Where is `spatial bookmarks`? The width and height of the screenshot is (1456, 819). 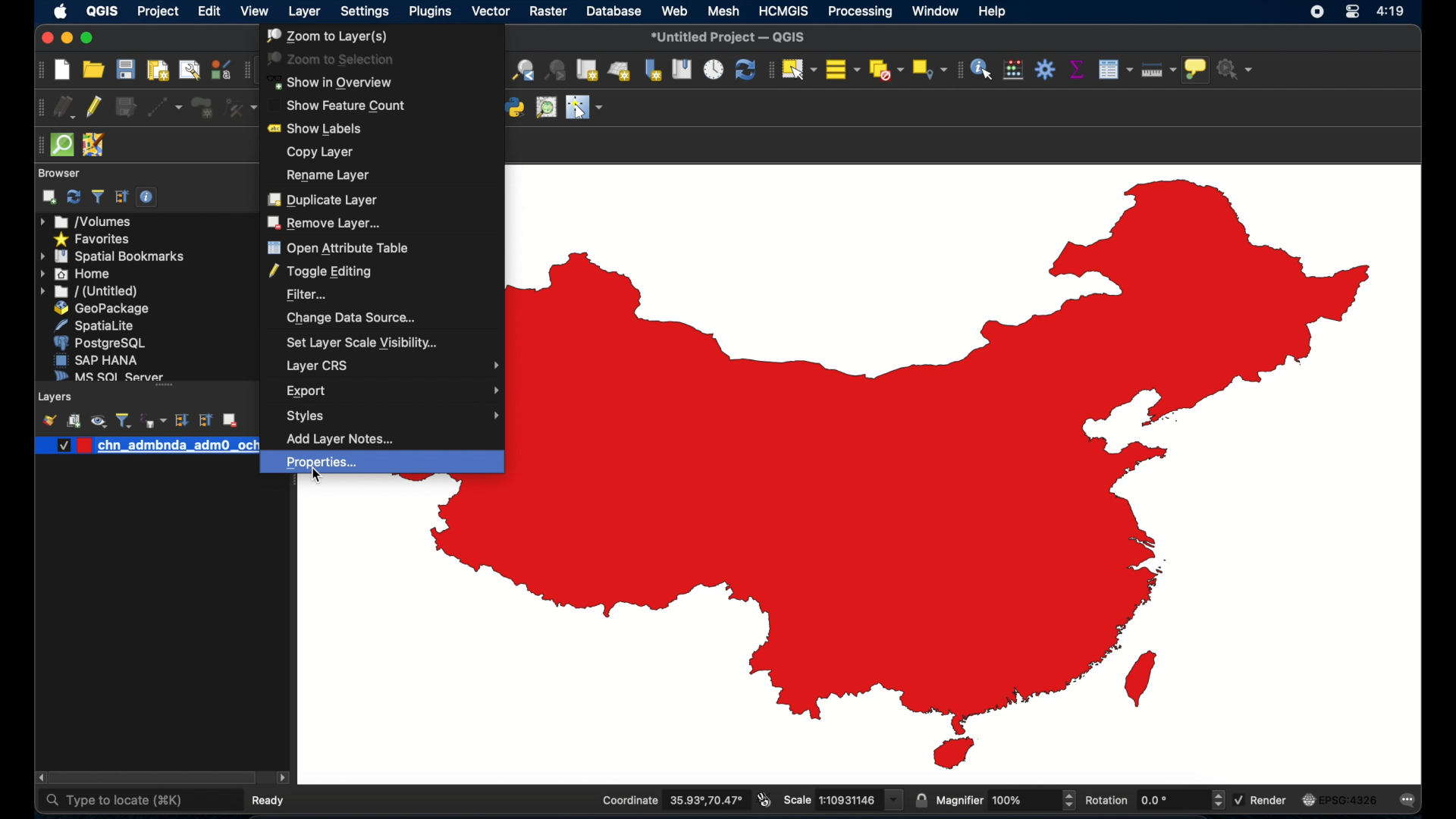
spatial bookmarks is located at coordinates (113, 256).